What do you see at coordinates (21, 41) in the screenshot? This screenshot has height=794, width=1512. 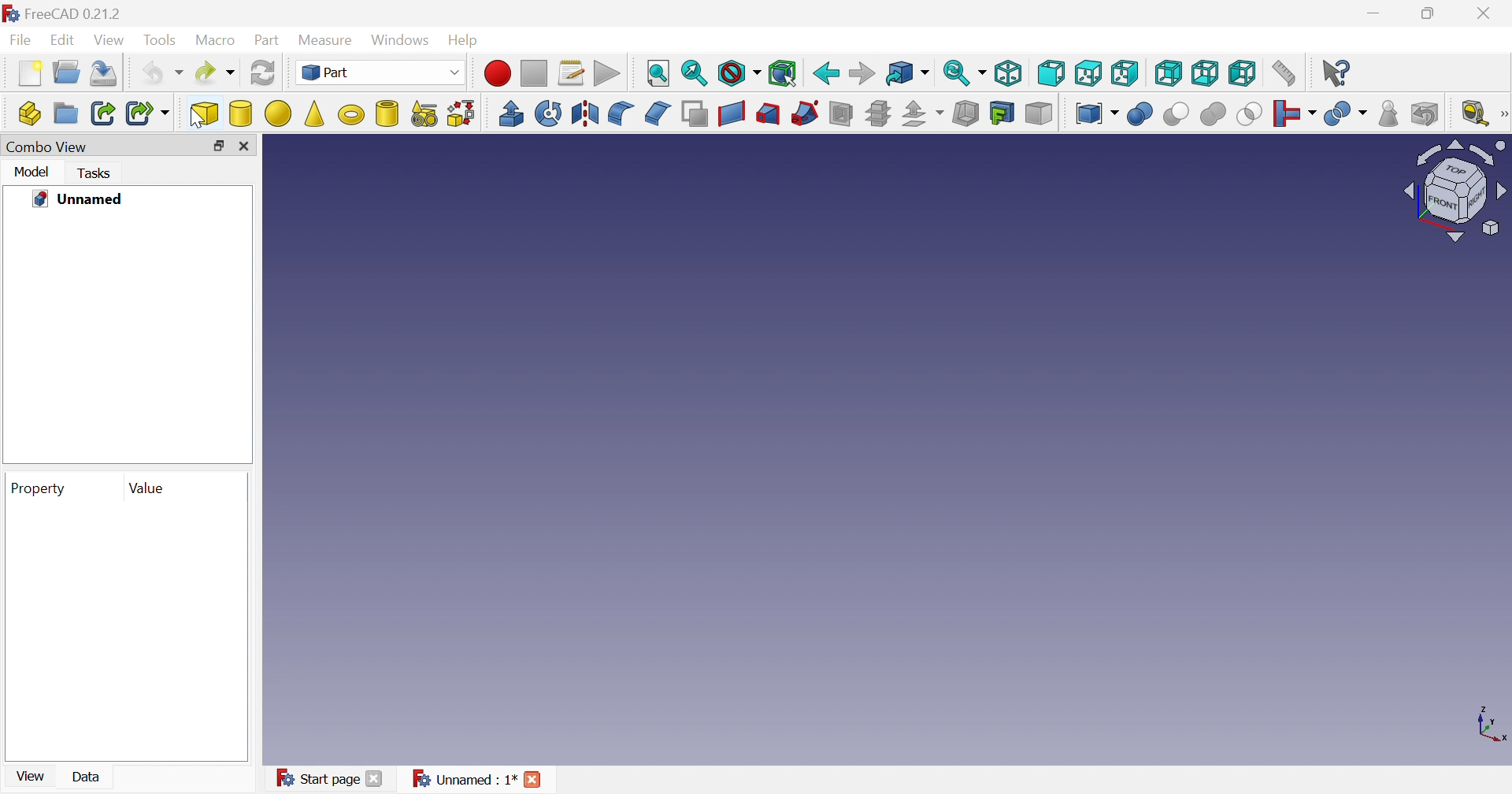 I see `File` at bounding box center [21, 41].